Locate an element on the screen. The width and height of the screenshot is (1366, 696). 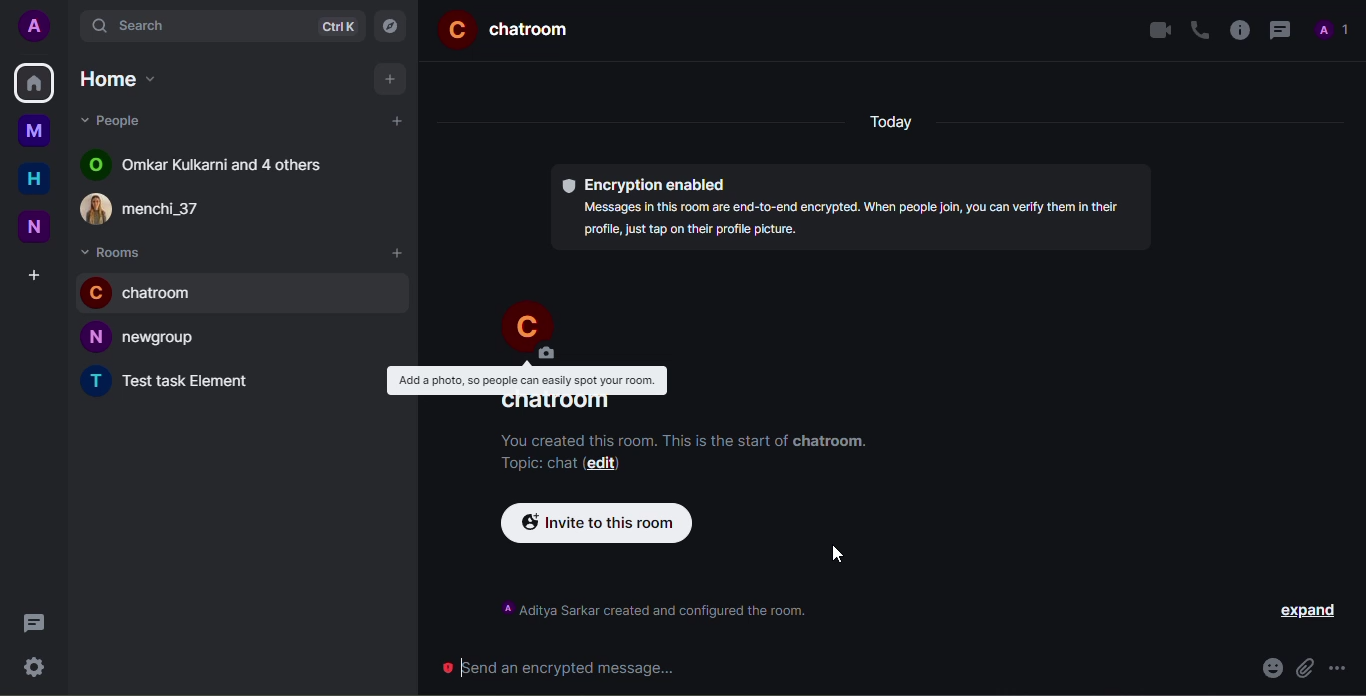
video call is located at coordinates (1155, 28).